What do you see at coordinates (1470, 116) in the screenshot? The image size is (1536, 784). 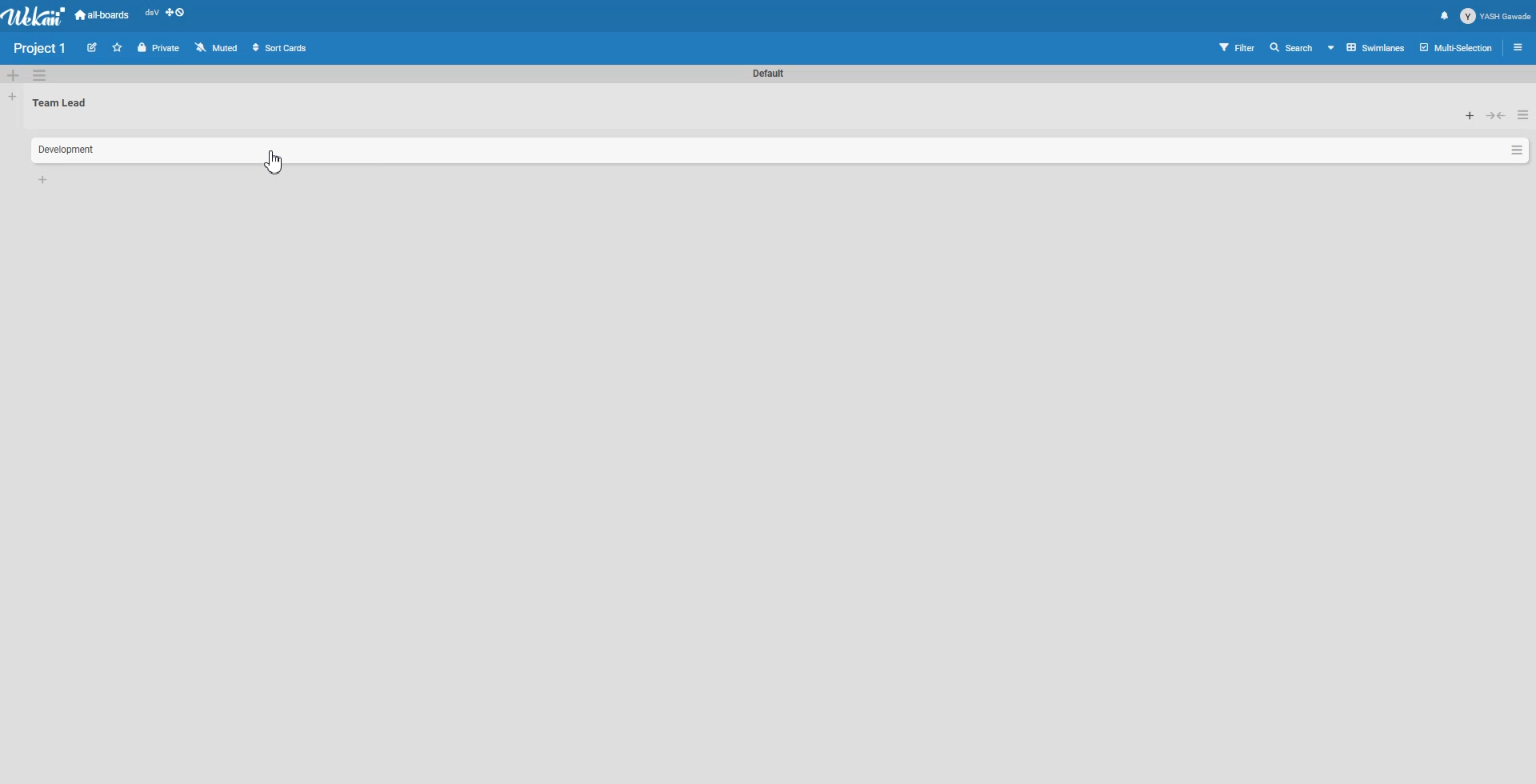 I see `Add card to top of the list` at bounding box center [1470, 116].